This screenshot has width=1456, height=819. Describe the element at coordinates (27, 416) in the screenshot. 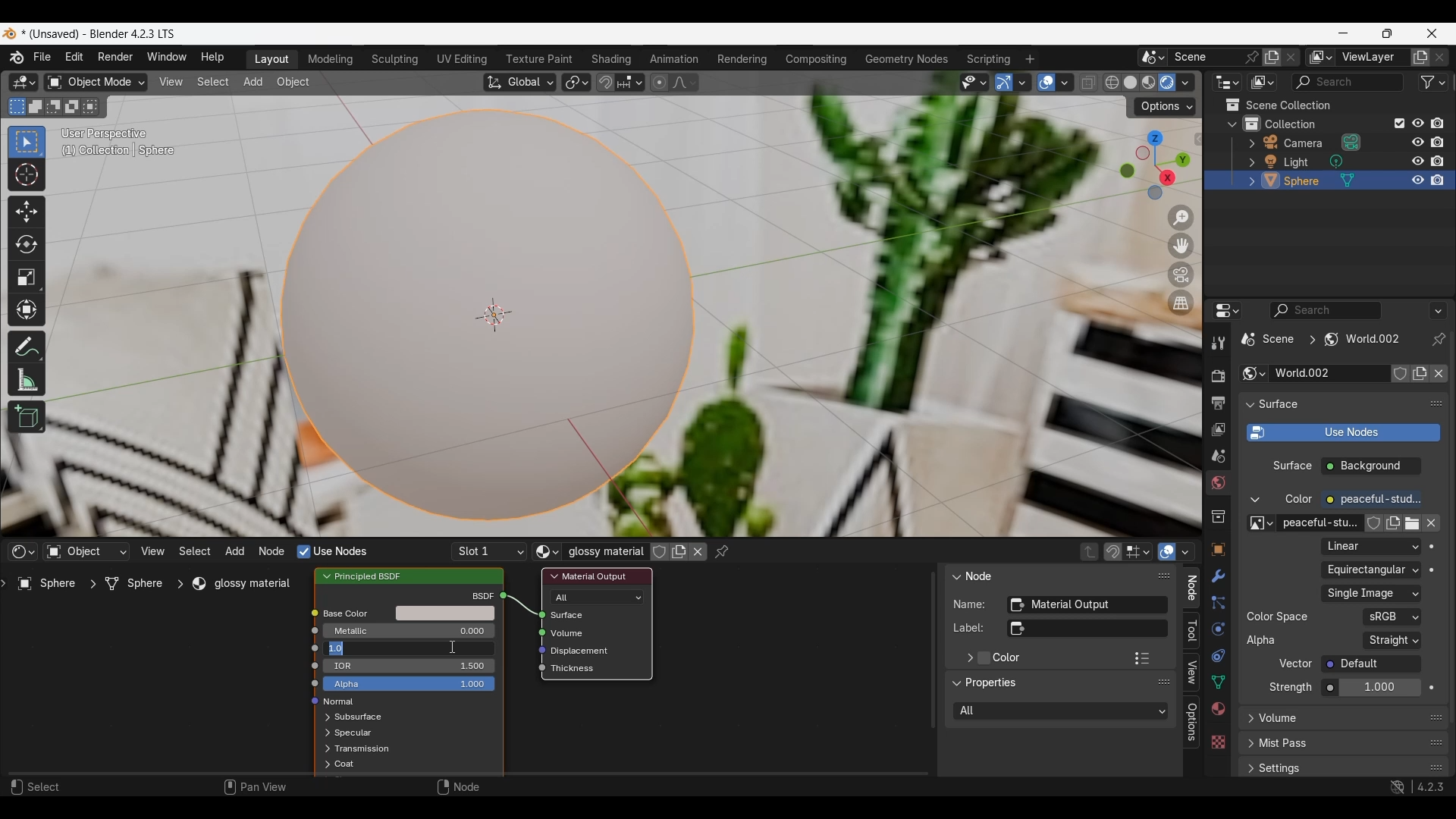

I see `Add cube` at that location.